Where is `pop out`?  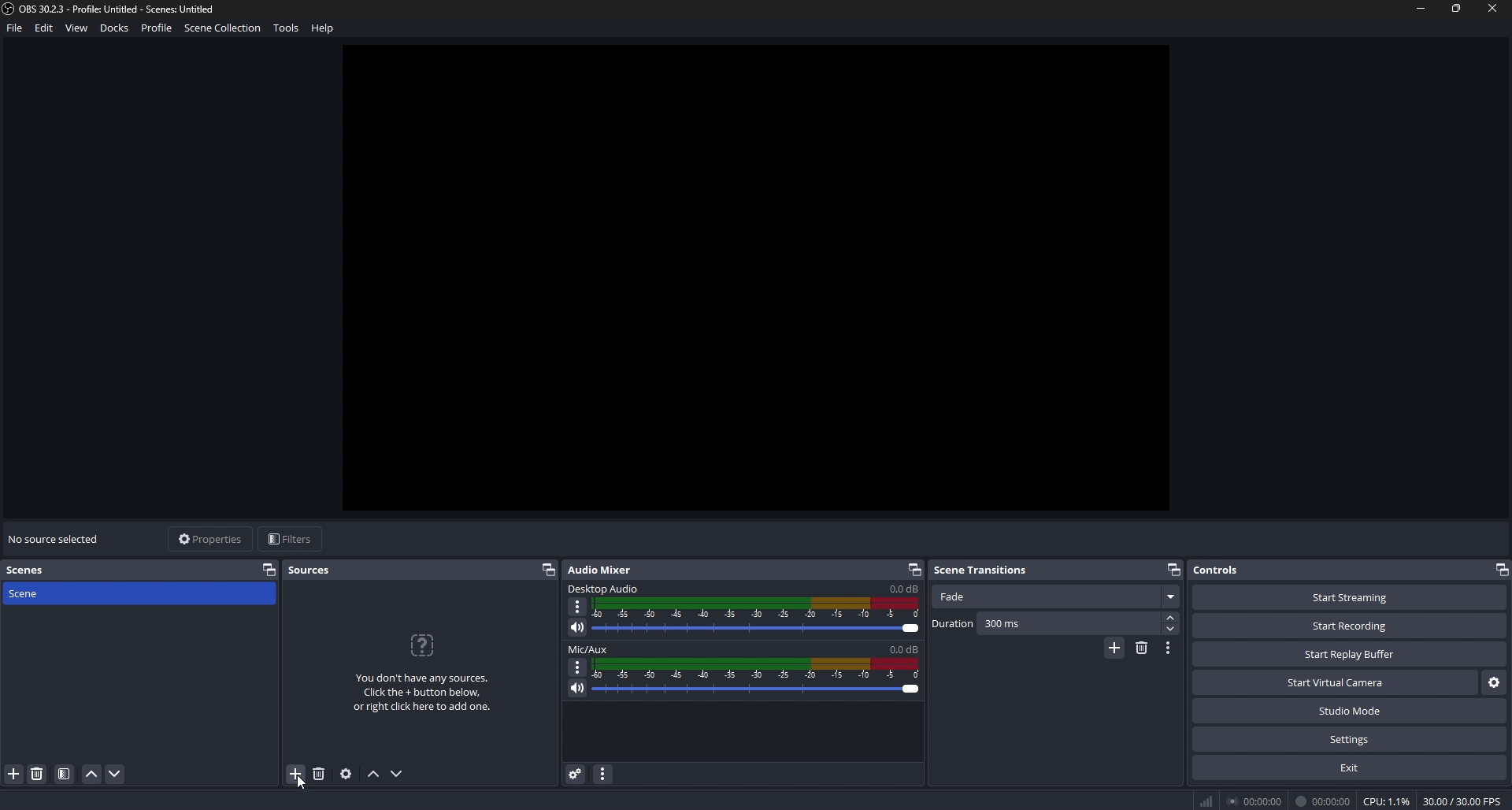 pop out is located at coordinates (1503, 570).